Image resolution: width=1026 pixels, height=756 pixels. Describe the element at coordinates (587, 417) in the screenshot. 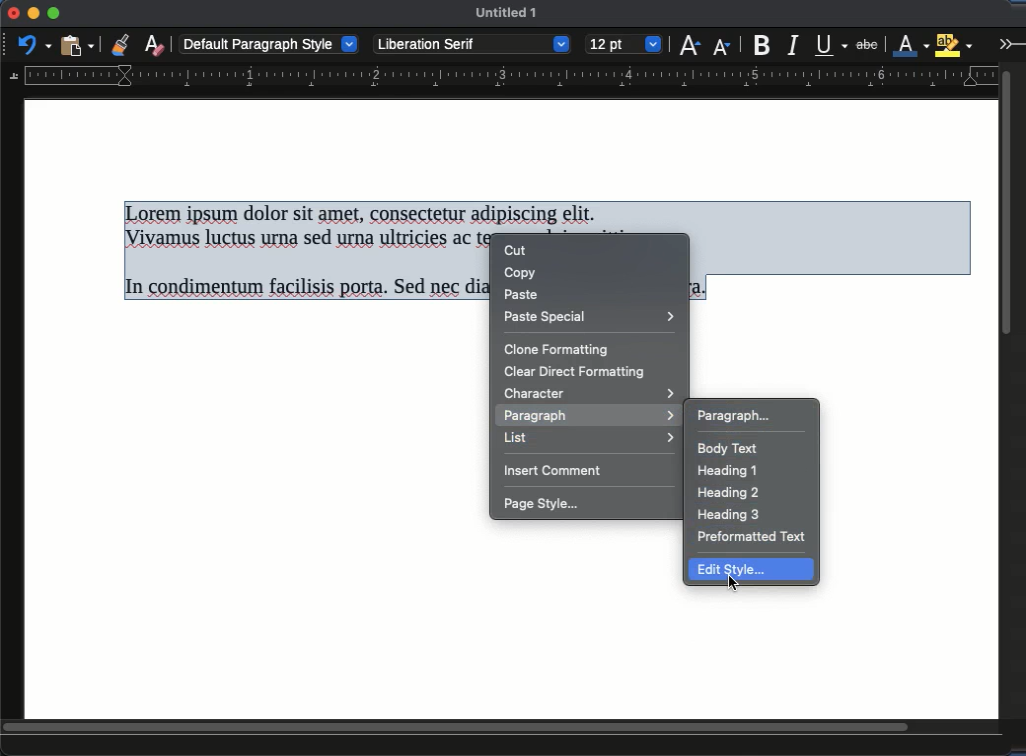

I see `paragraph` at that location.